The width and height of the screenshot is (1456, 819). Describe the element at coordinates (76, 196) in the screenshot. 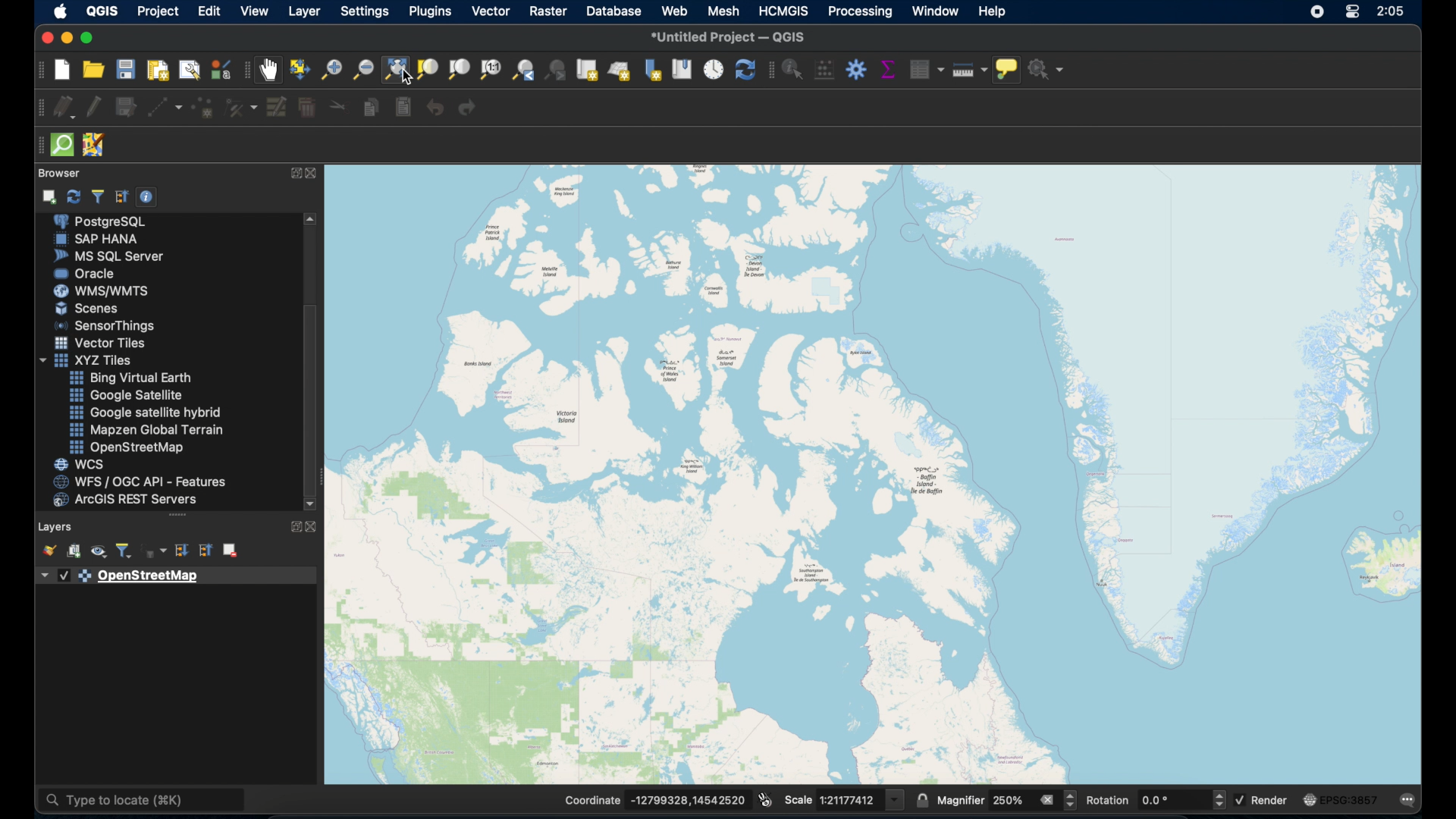

I see `refresh` at that location.